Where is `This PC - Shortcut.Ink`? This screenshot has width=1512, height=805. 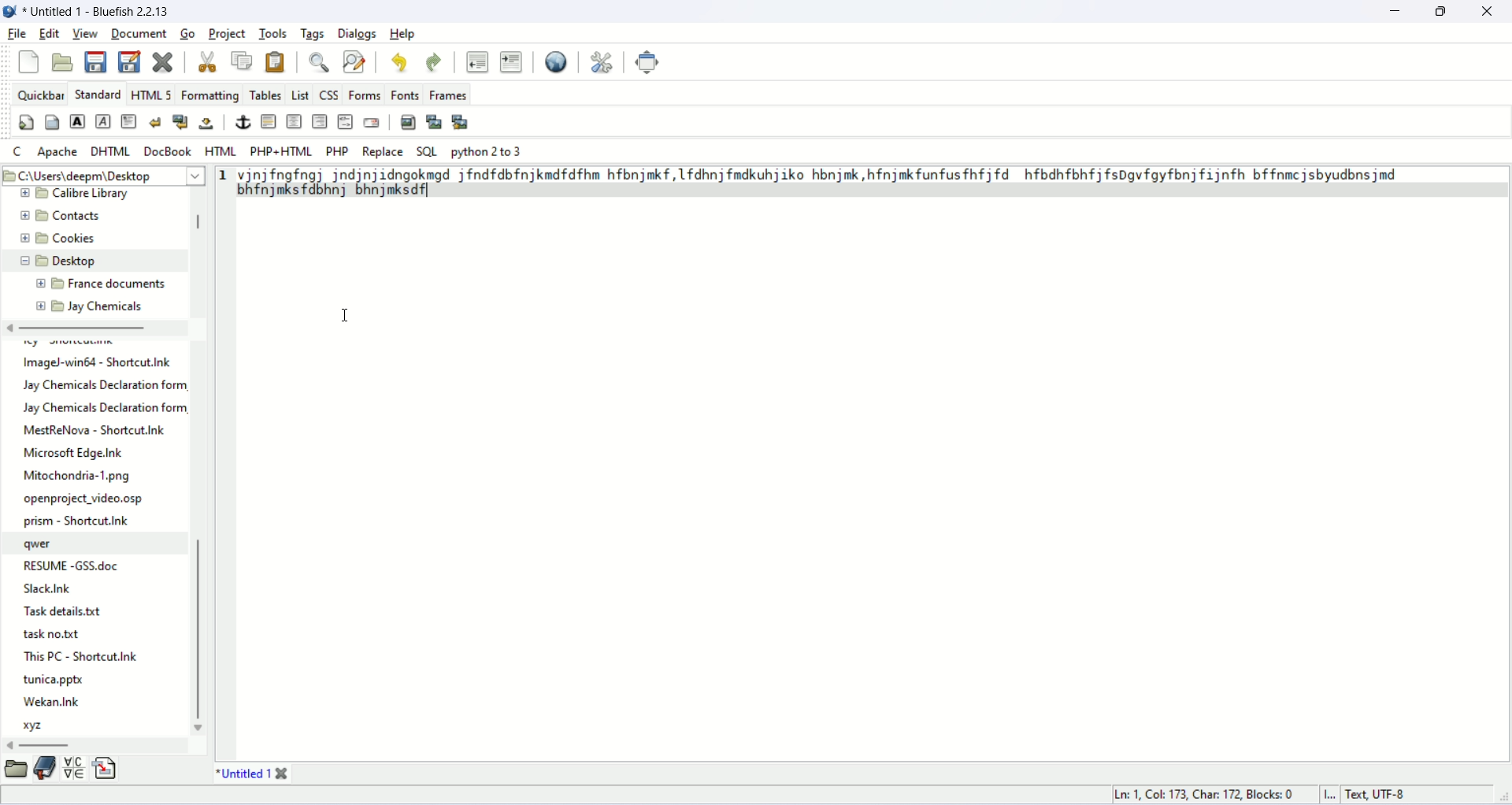
This PC - Shortcut.Ink is located at coordinates (80, 655).